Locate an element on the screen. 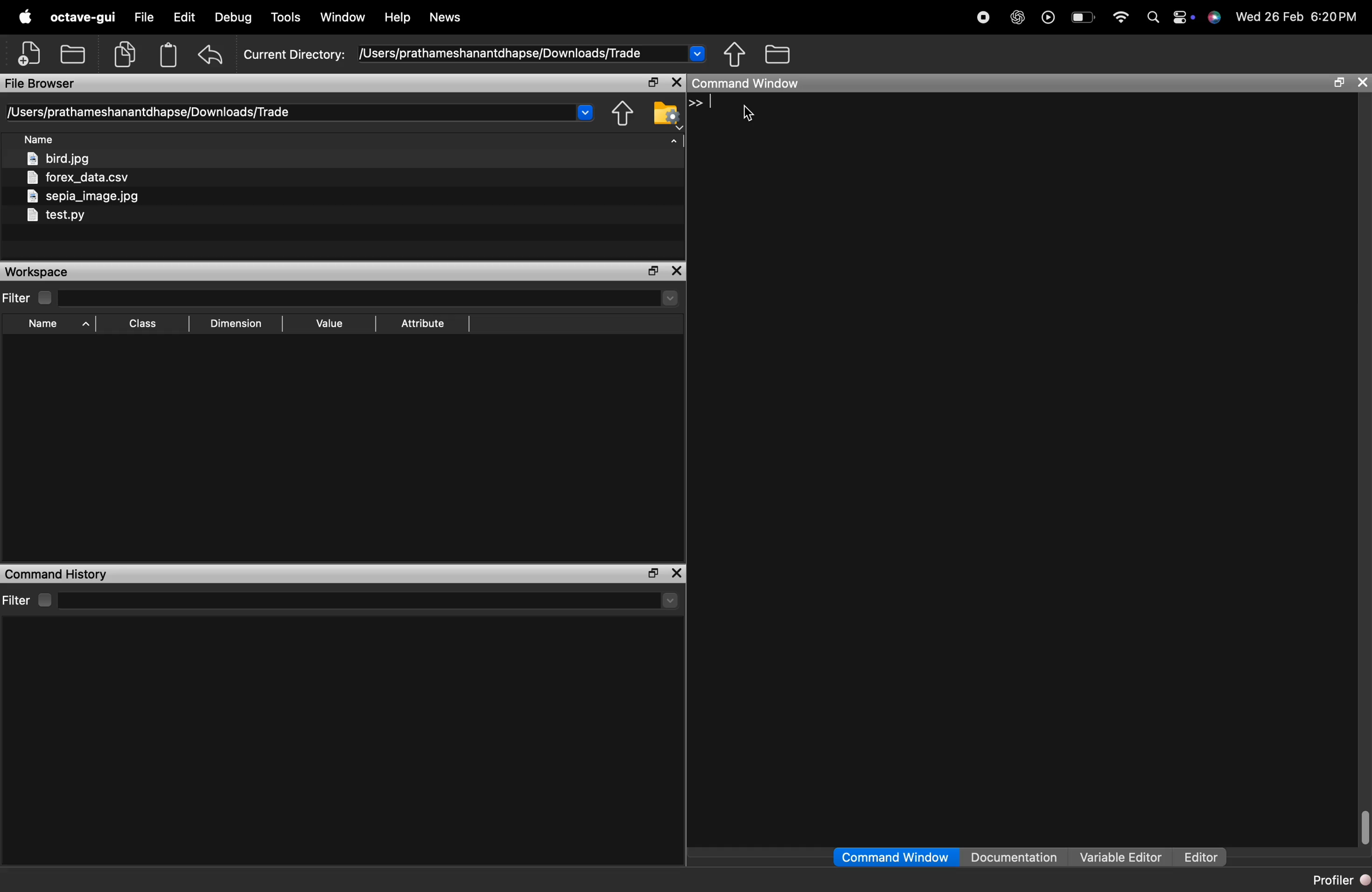  close is located at coordinates (1363, 84).